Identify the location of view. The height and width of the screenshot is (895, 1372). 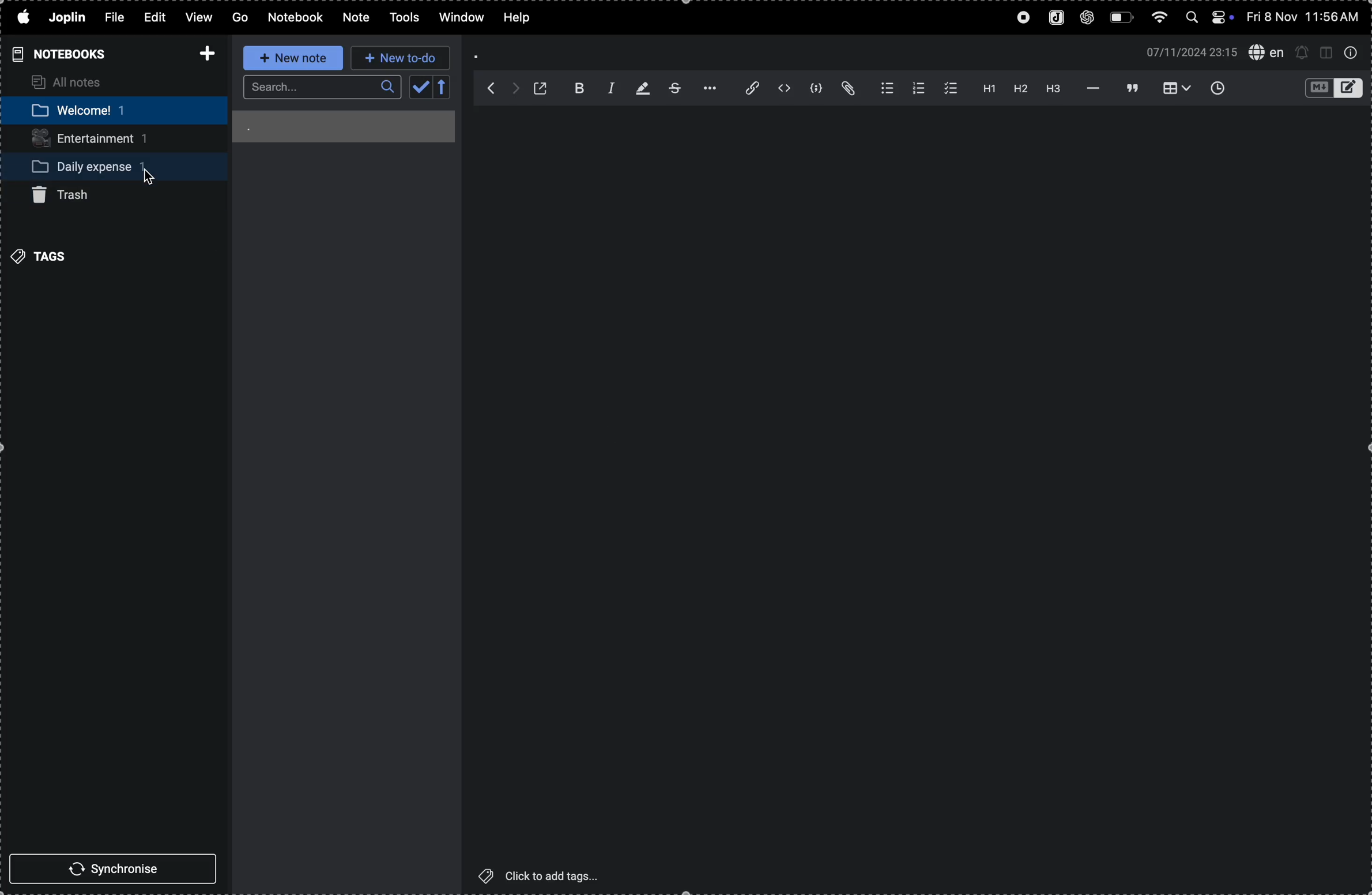
(196, 18).